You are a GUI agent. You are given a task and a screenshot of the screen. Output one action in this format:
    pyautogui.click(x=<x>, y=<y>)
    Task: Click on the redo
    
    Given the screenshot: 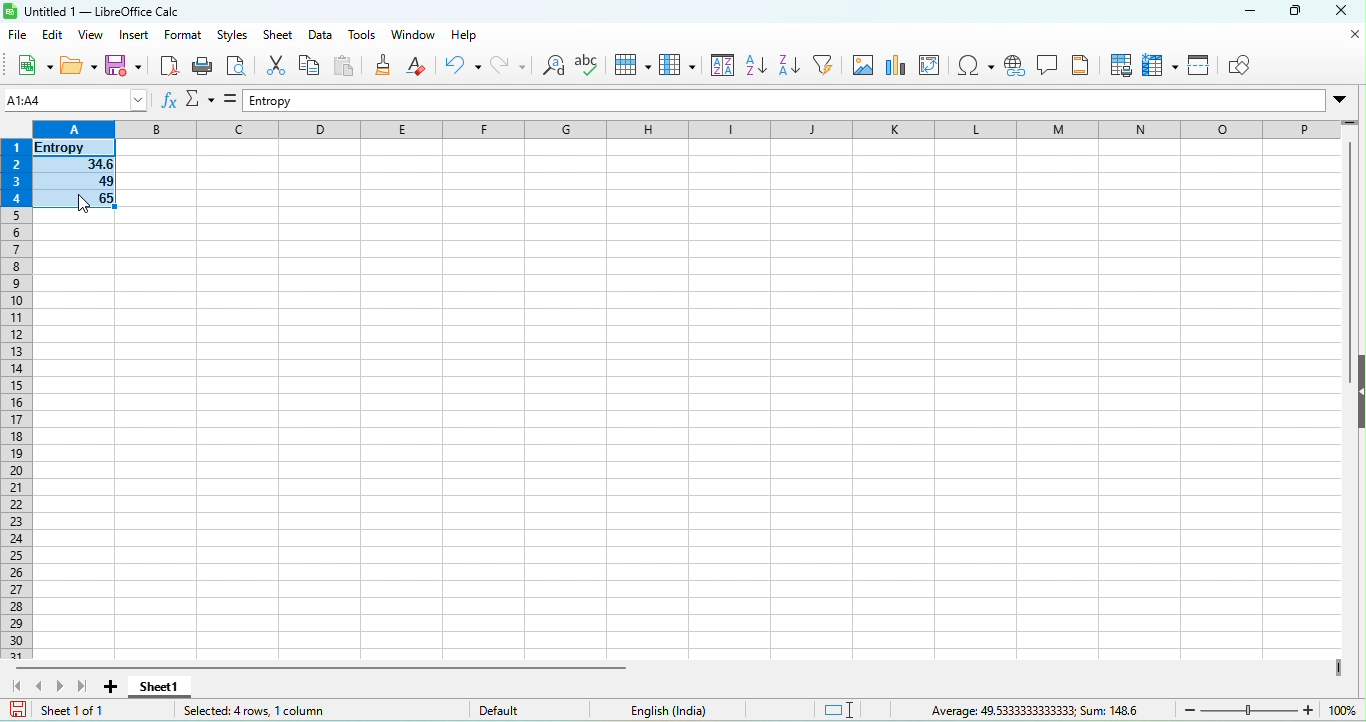 What is the action you would take?
    pyautogui.click(x=508, y=69)
    